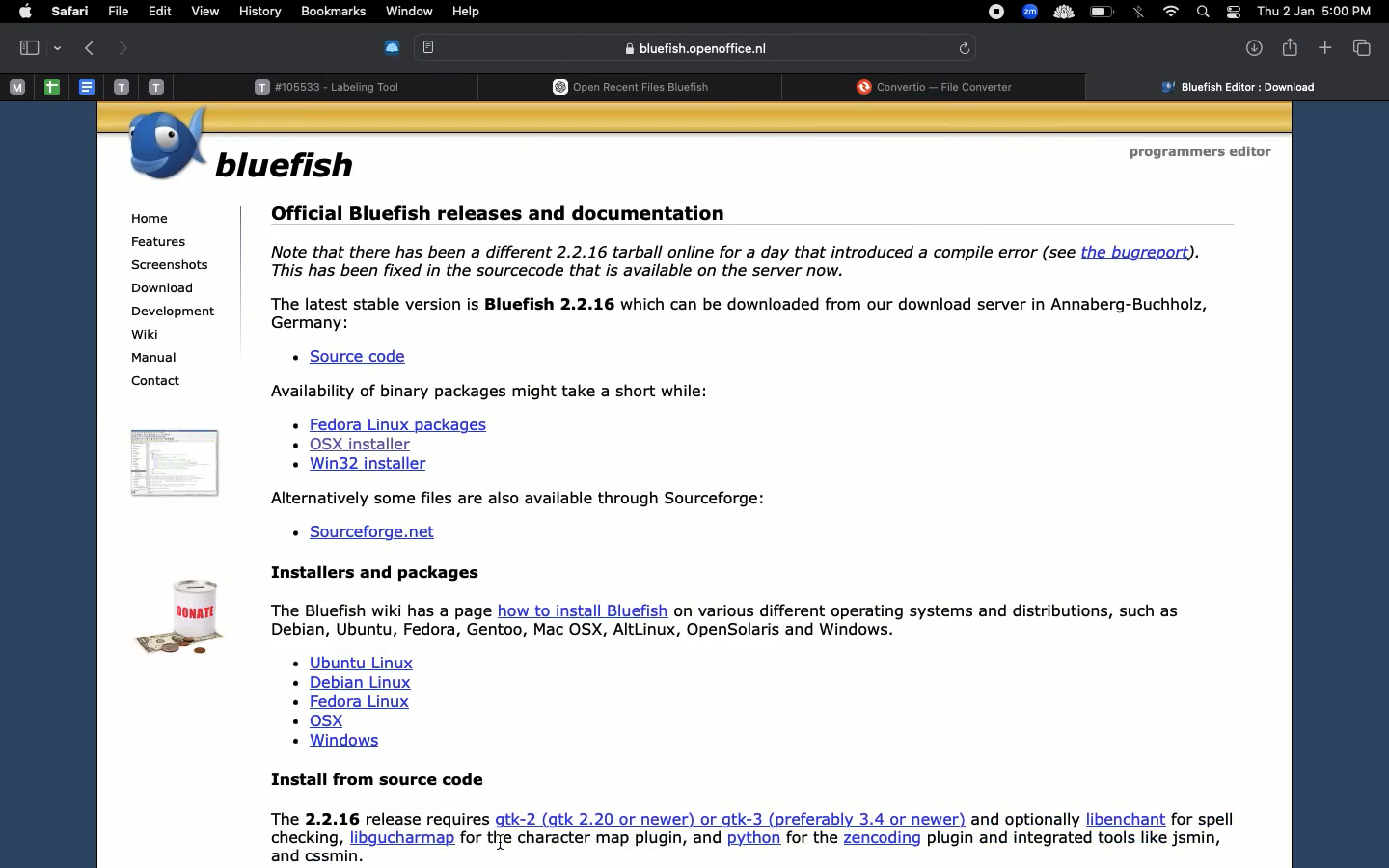 The width and height of the screenshot is (1389, 868). I want to click on logo, so click(174, 463).